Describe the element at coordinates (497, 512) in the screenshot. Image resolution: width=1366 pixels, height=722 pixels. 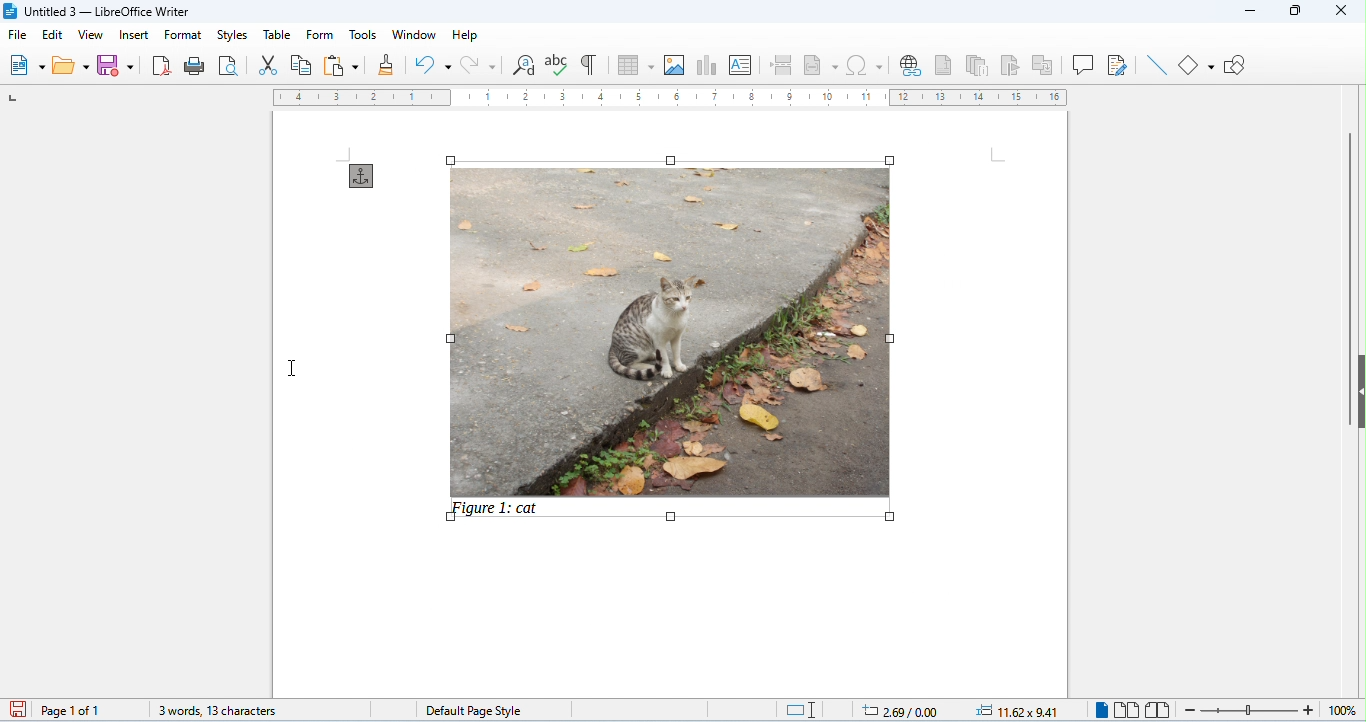
I see `caption appeared` at that location.